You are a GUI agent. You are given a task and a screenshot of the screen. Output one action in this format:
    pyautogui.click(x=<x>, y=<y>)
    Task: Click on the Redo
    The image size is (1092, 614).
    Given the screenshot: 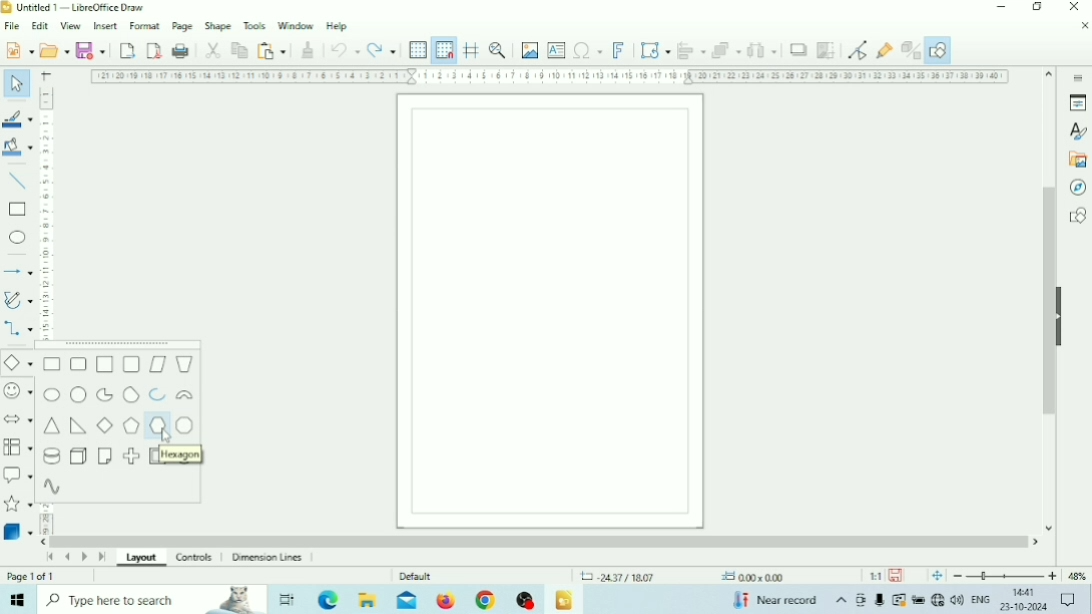 What is the action you would take?
    pyautogui.click(x=381, y=49)
    